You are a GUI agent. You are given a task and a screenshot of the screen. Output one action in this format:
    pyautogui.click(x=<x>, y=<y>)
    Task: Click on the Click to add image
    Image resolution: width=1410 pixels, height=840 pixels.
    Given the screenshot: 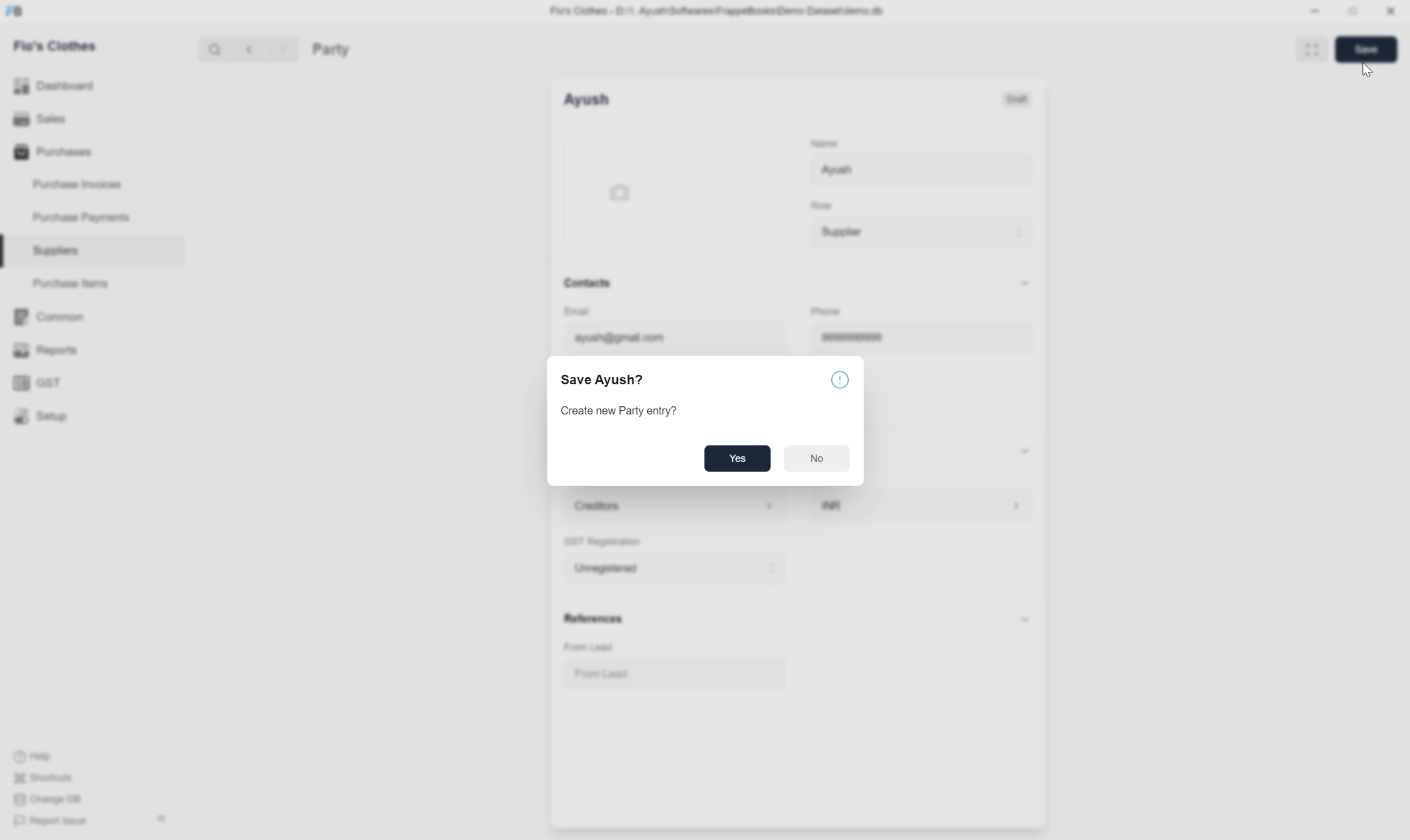 What is the action you would take?
    pyautogui.click(x=620, y=191)
    